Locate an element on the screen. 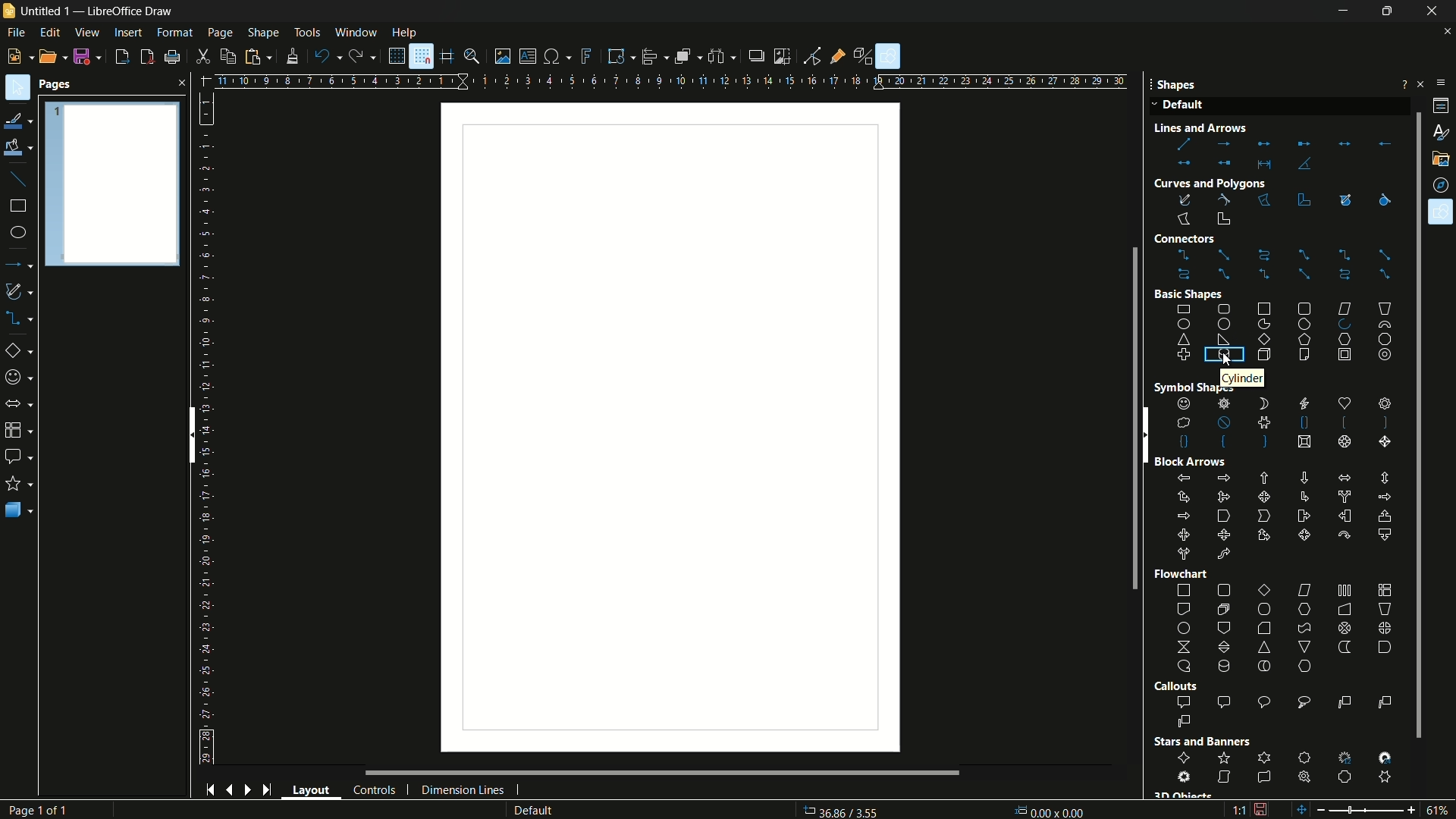 The image size is (1456, 819). maximize or restore is located at coordinates (1391, 11).